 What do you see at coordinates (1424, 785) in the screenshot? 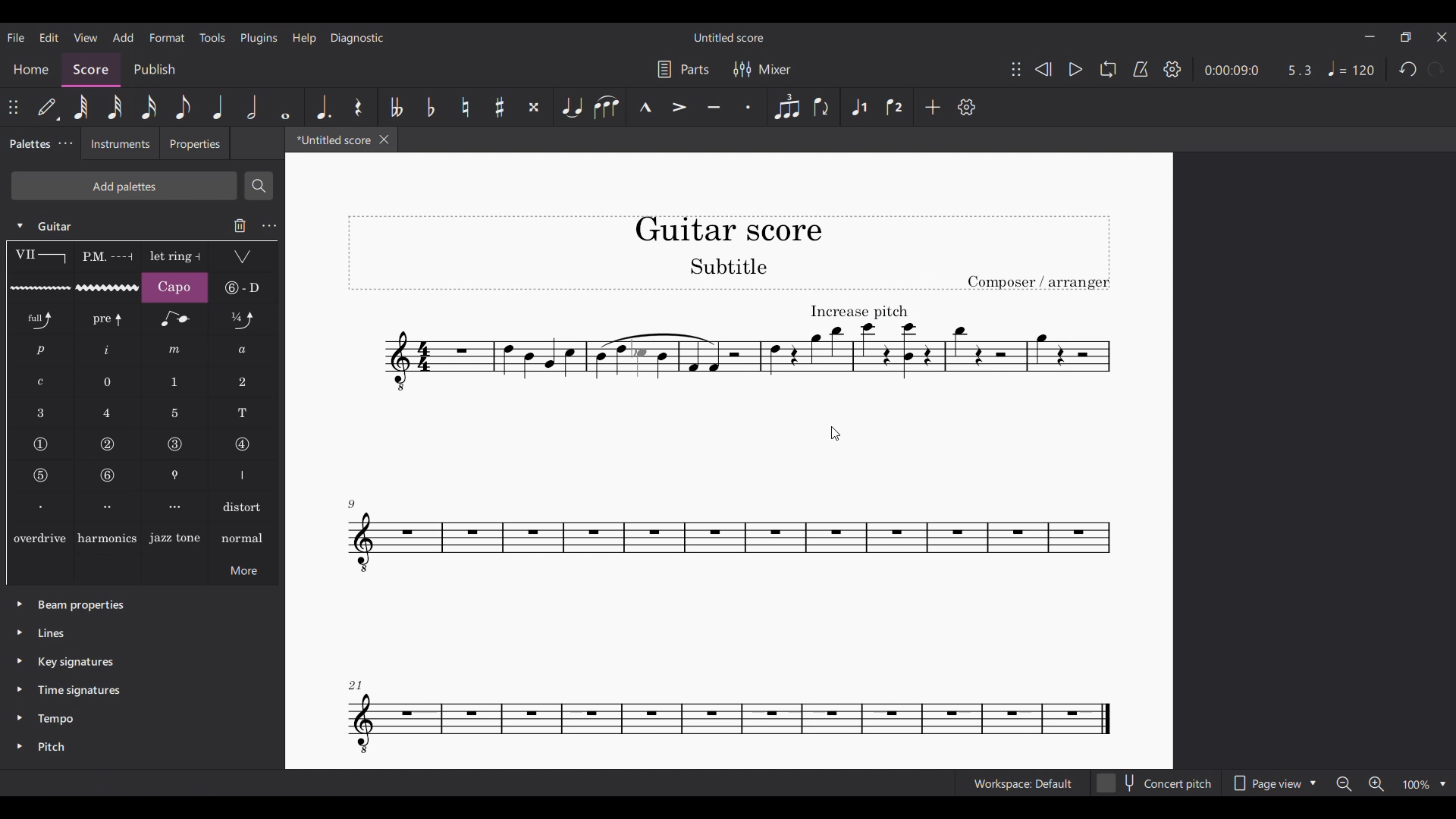
I see `Zoom options` at bounding box center [1424, 785].